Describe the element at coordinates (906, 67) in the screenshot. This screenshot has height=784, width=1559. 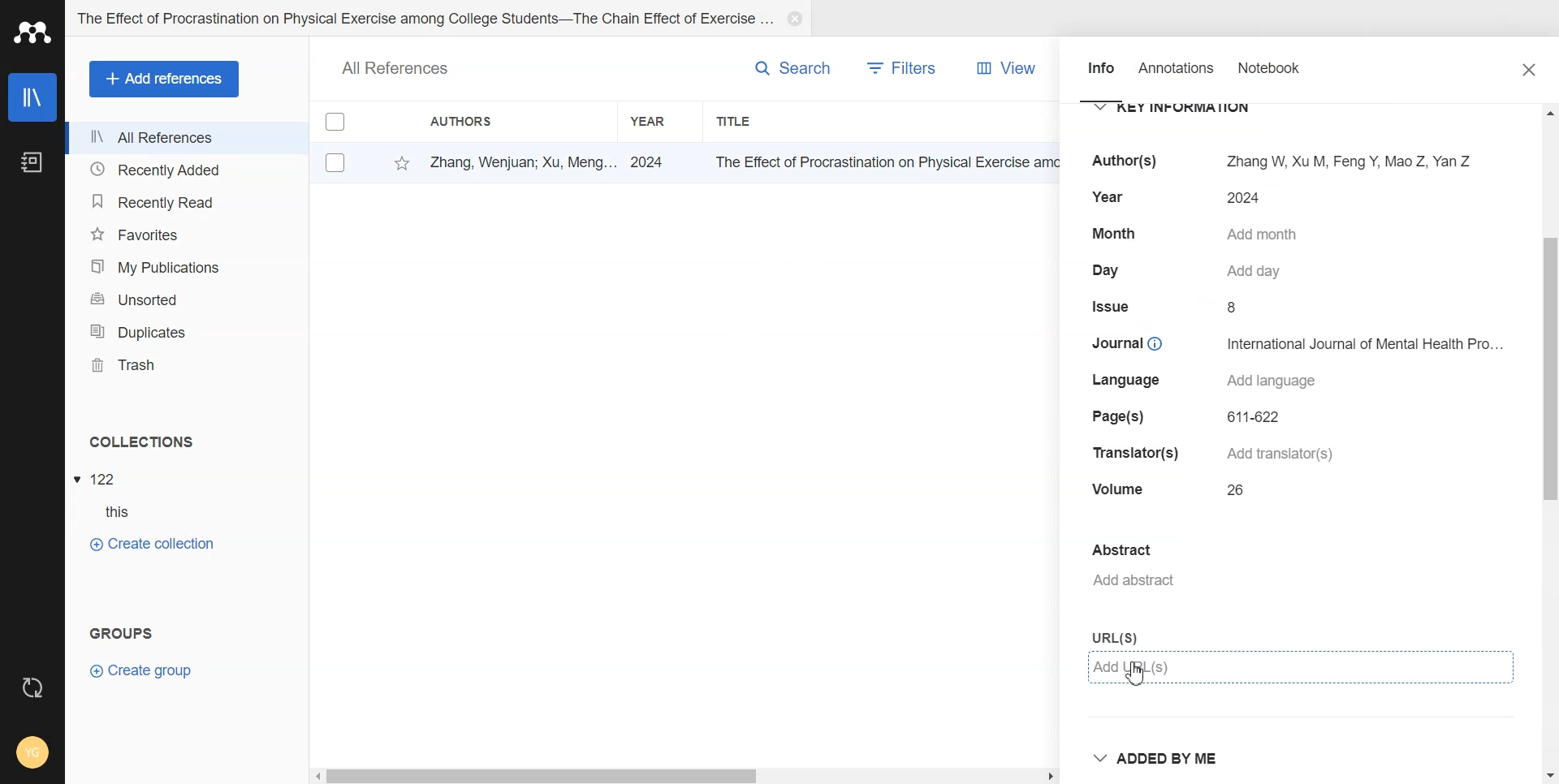
I see `Filters` at that location.